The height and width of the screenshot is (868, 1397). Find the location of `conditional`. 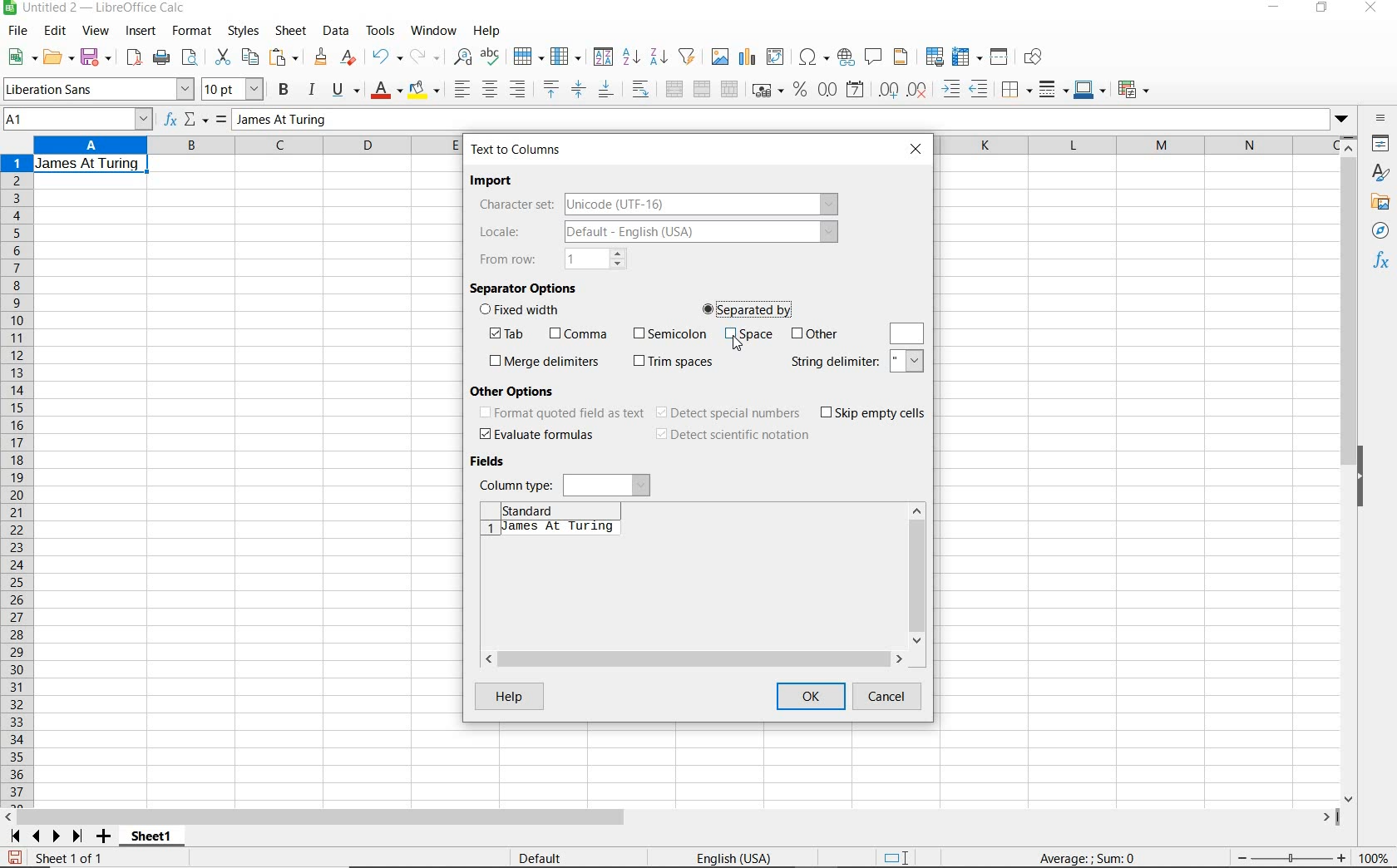

conditional is located at coordinates (1135, 88).